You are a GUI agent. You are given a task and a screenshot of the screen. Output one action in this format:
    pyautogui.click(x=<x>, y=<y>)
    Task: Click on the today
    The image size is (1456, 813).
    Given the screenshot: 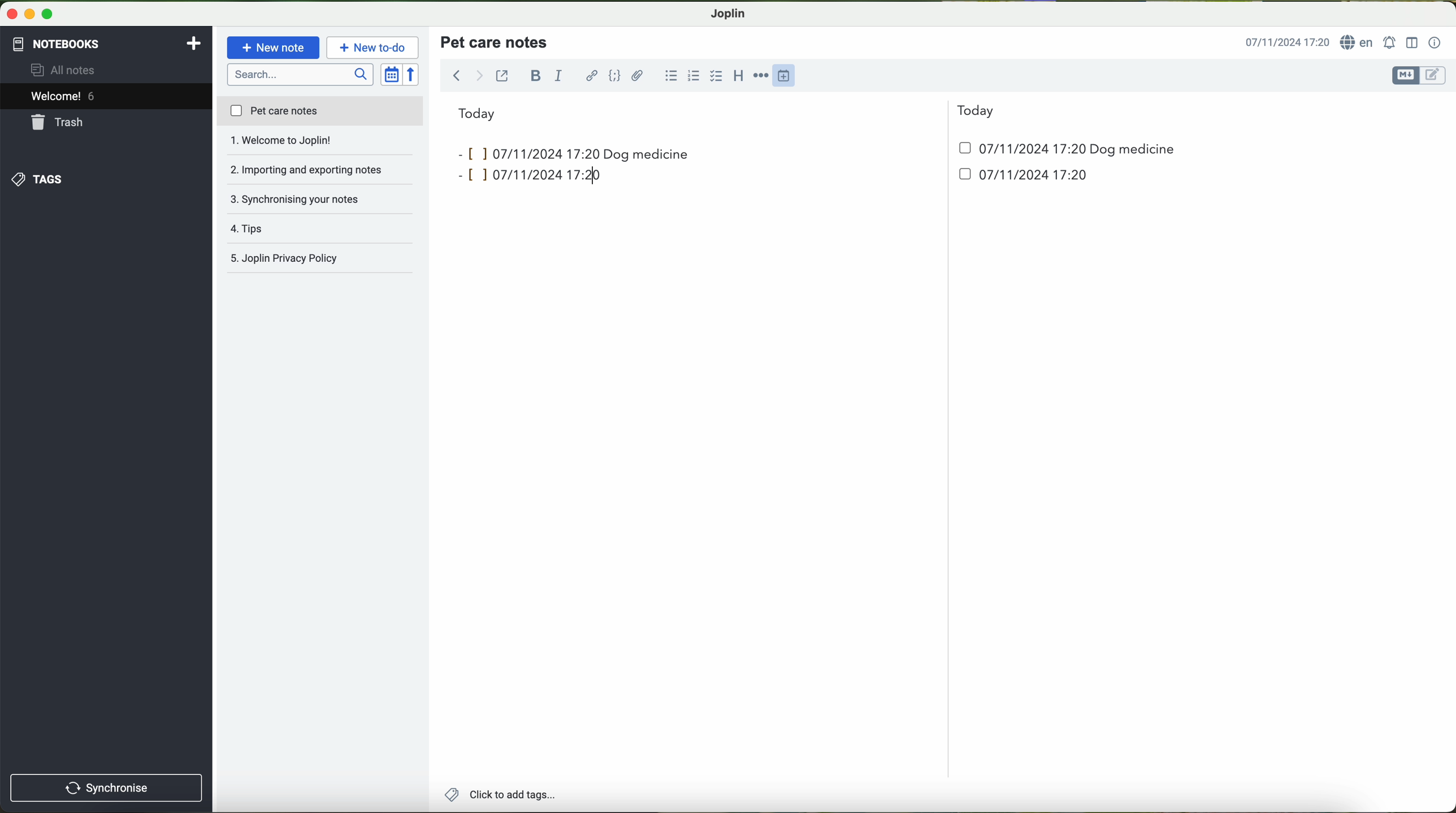 What is the action you would take?
    pyautogui.click(x=726, y=112)
    